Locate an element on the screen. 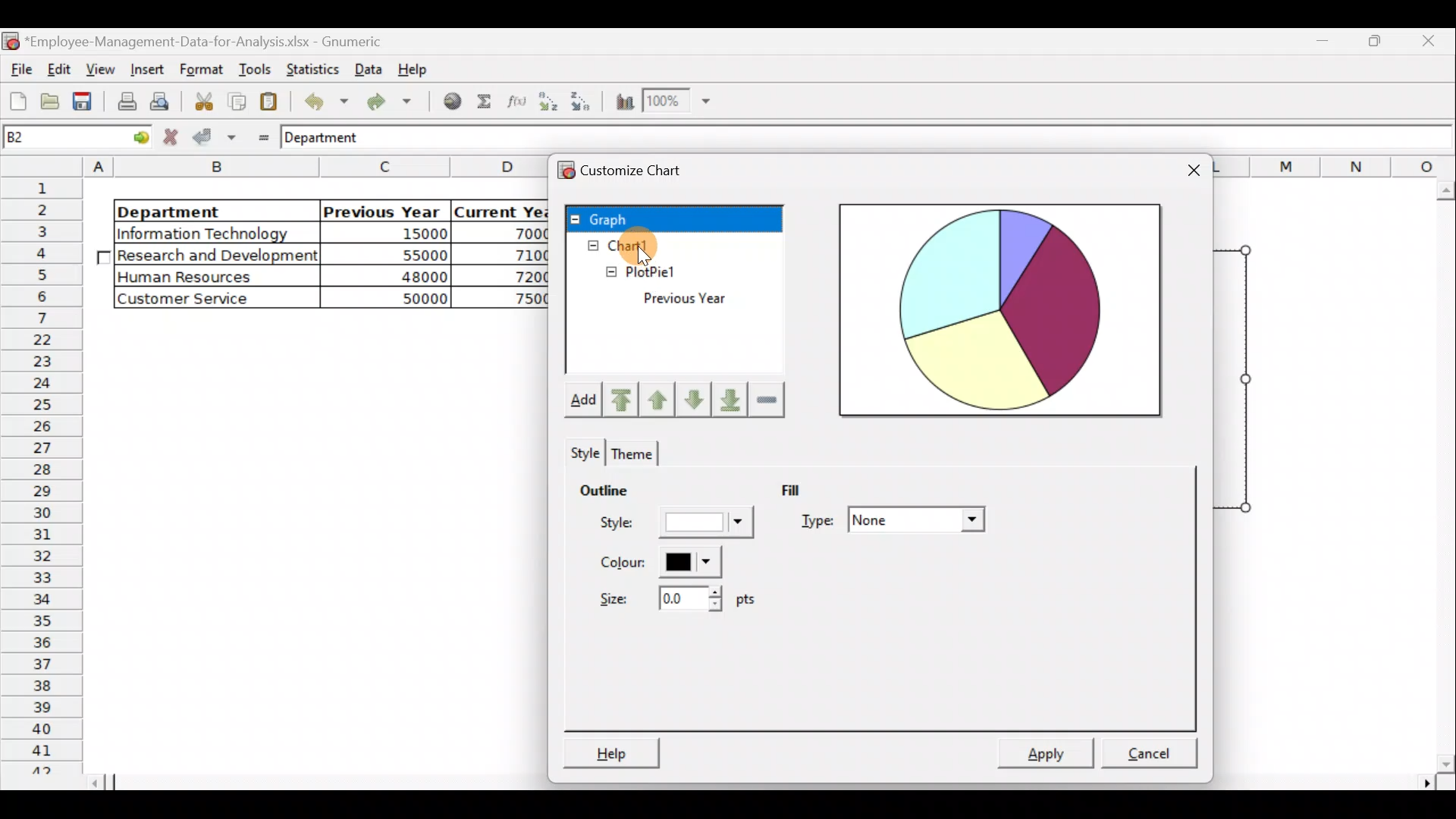 The width and height of the screenshot is (1456, 819). Scroll bar is located at coordinates (1442, 477).